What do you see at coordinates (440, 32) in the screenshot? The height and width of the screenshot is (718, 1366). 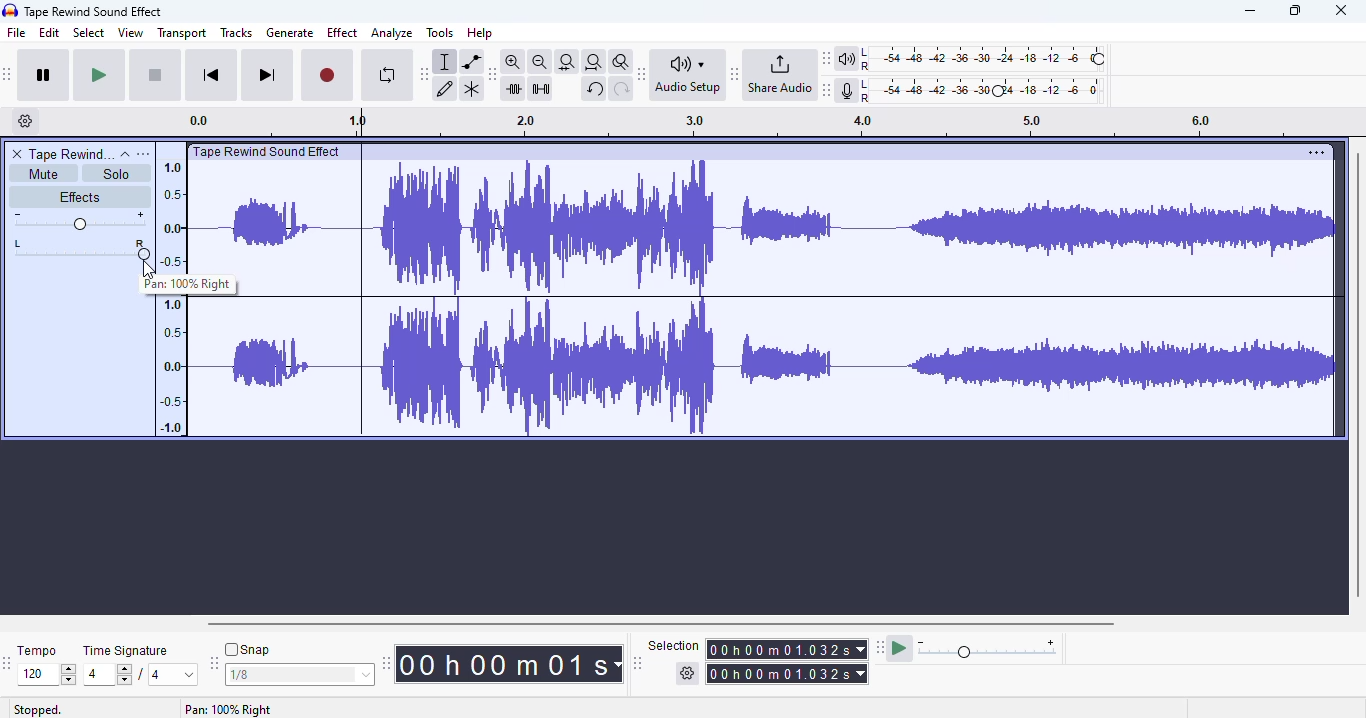 I see `tools` at bounding box center [440, 32].